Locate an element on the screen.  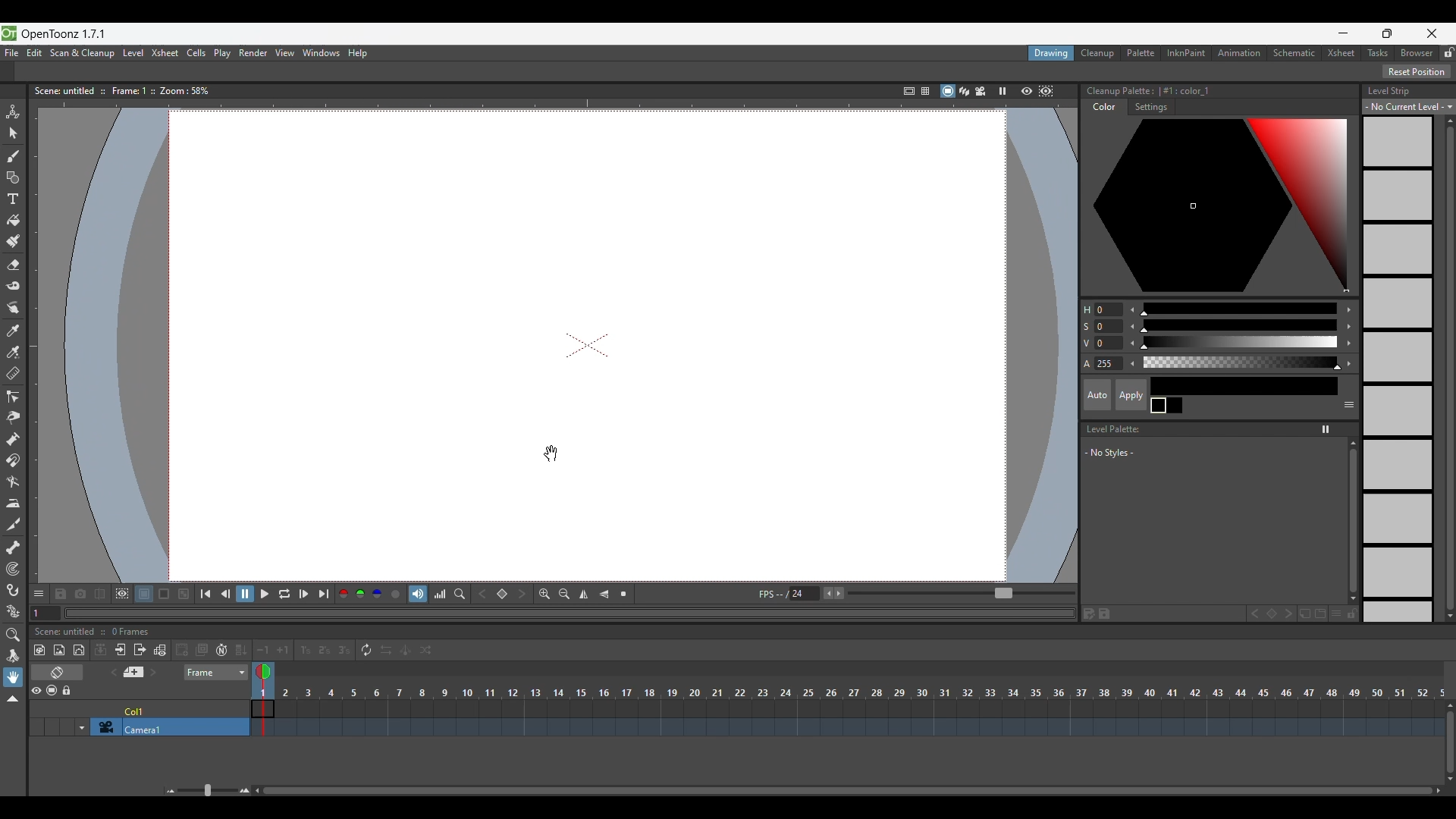
Vertical slide bar is located at coordinates (1449, 742).